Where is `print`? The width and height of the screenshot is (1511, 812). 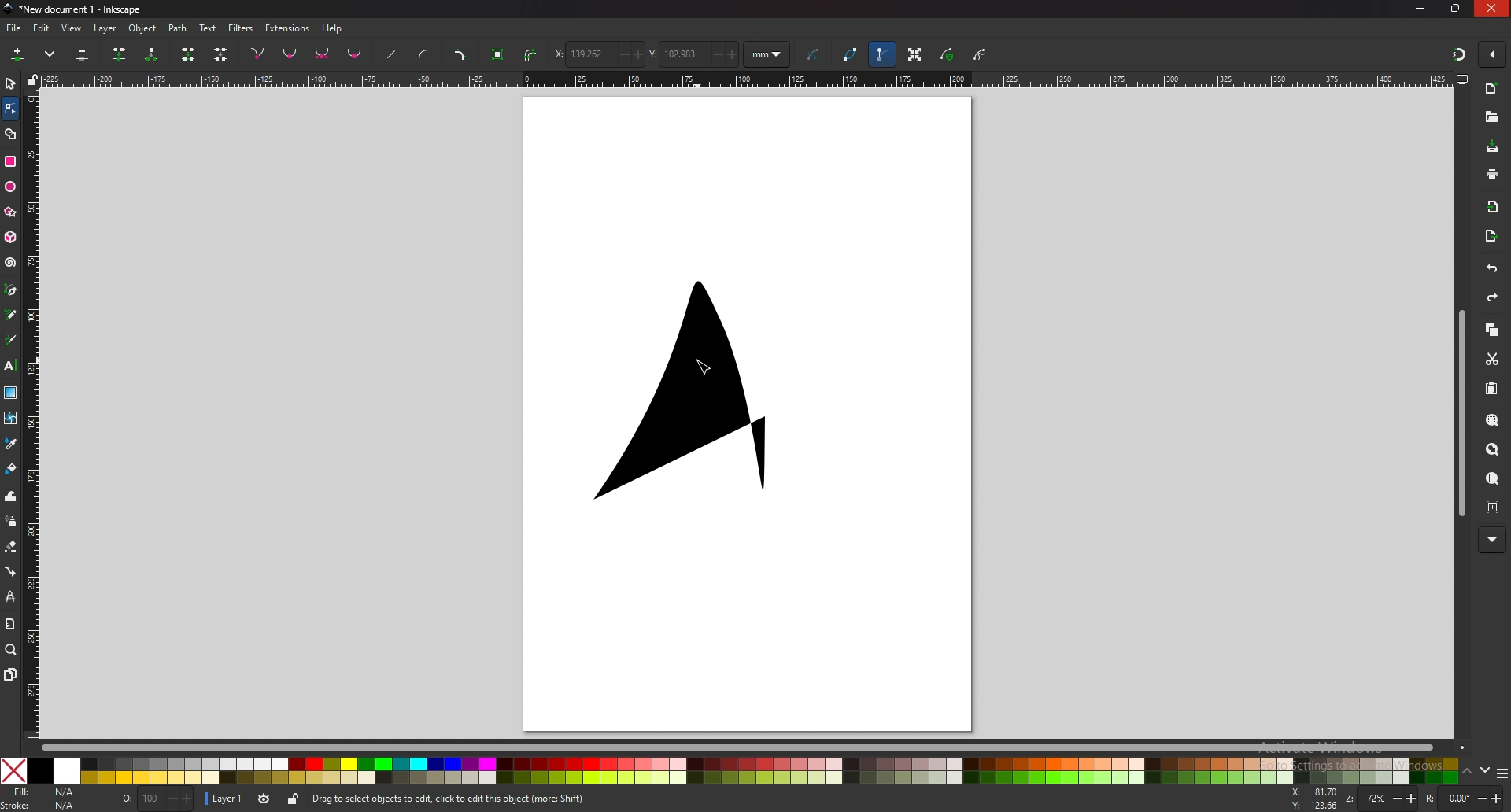 print is located at coordinates (1491, 174).